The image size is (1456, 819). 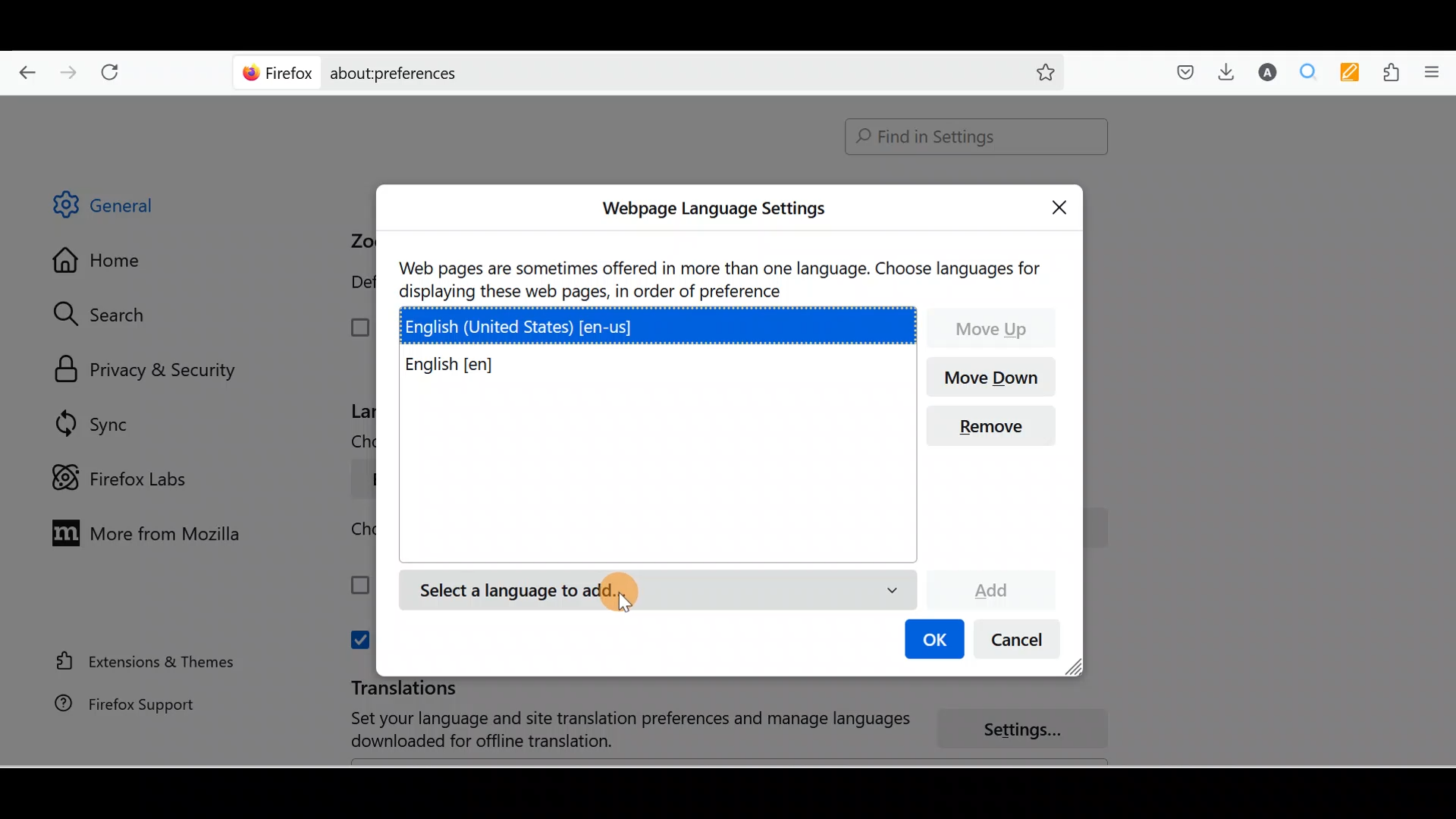 What do you see at coordinates (108, 264) in the screenshot?
I see `Home` at bounding box center [108, 264].